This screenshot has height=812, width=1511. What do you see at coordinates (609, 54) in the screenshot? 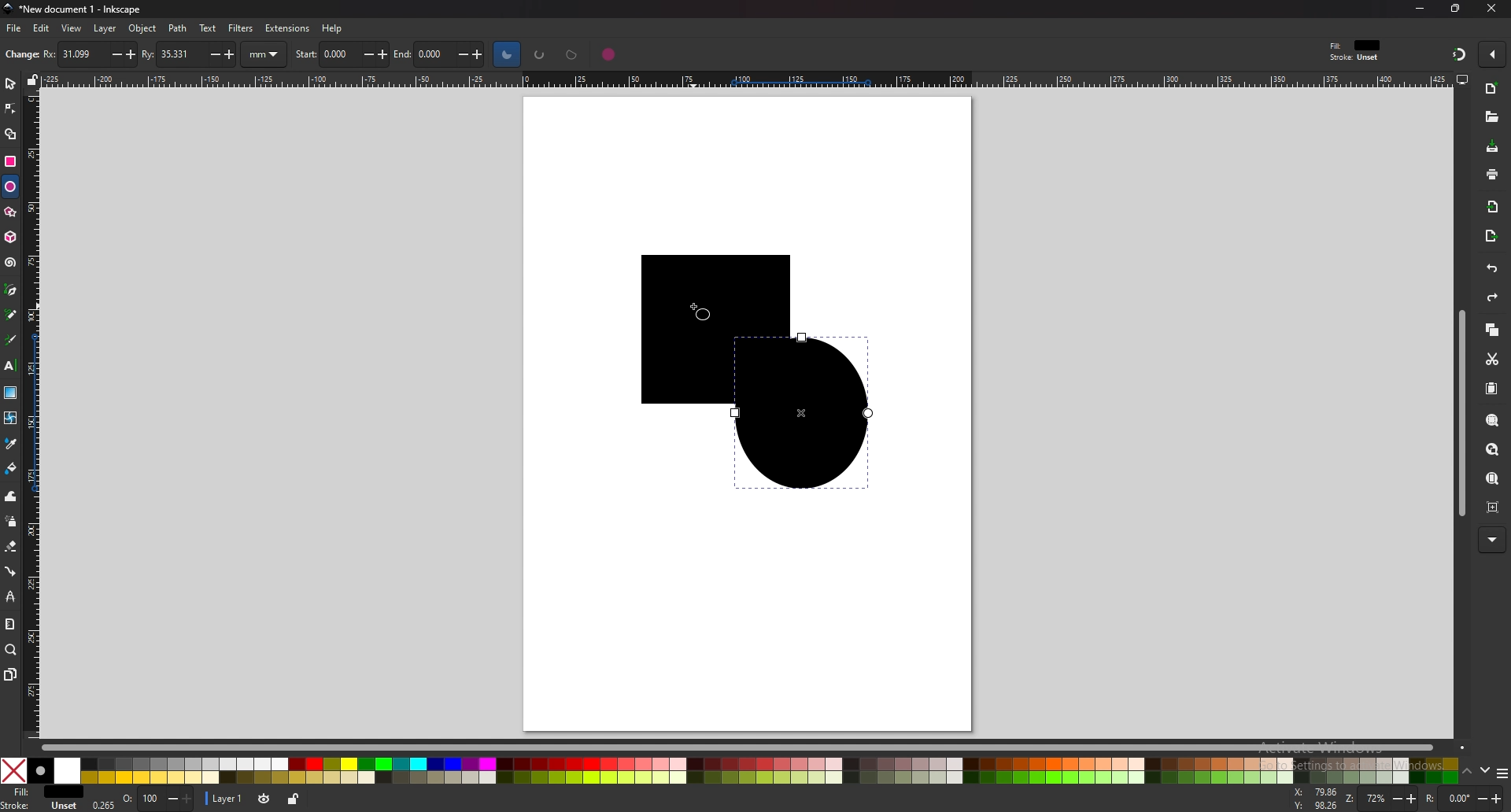
I see `whole ellipse` at bounding box center [609, 54].